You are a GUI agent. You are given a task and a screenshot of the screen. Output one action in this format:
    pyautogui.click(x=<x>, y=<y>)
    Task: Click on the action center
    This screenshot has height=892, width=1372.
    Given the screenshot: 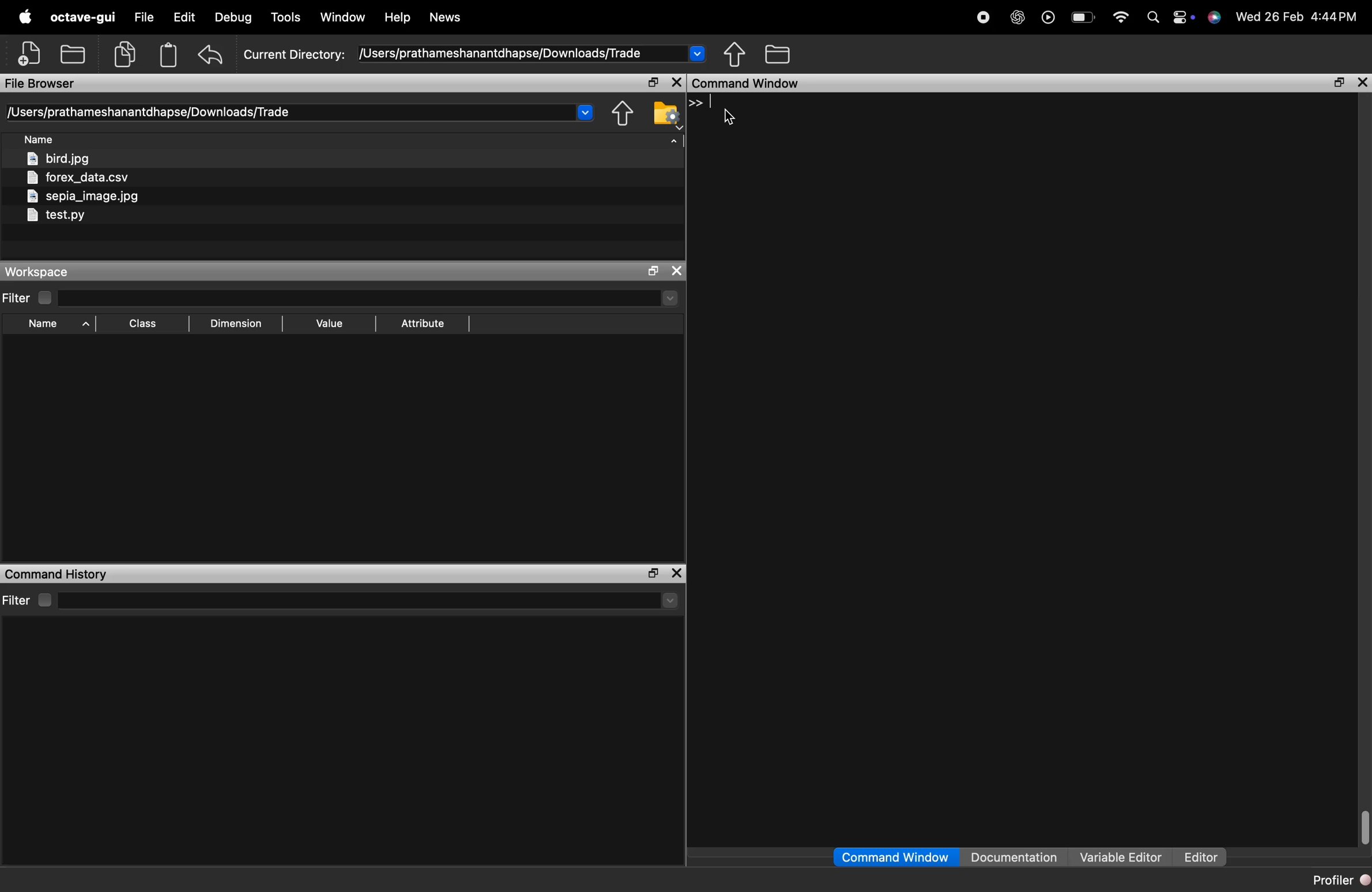 What is the action you would take?
    pyautogui.click(x=1183, y=18)
    